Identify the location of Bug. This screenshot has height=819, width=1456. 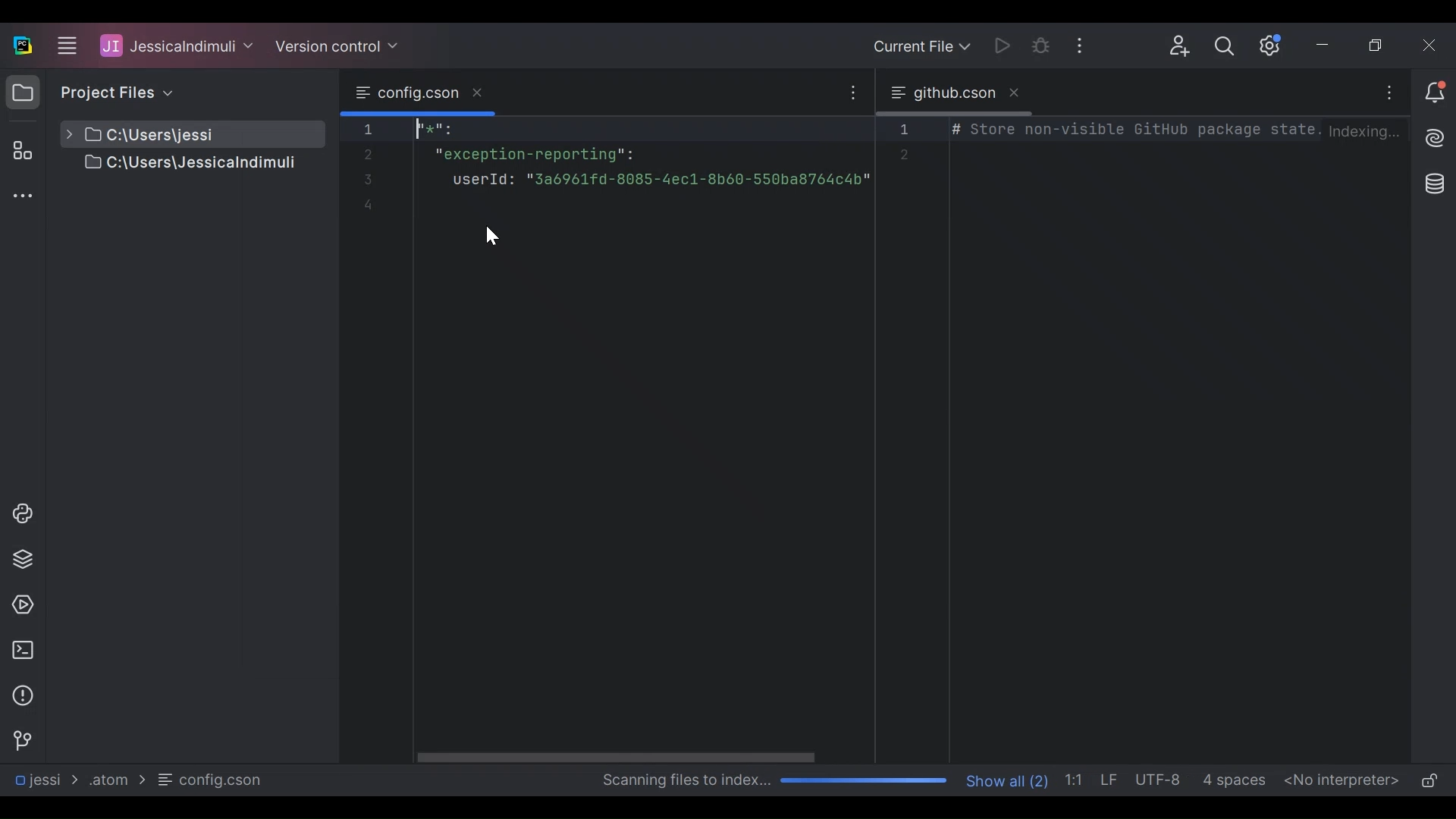
(1041, 45).